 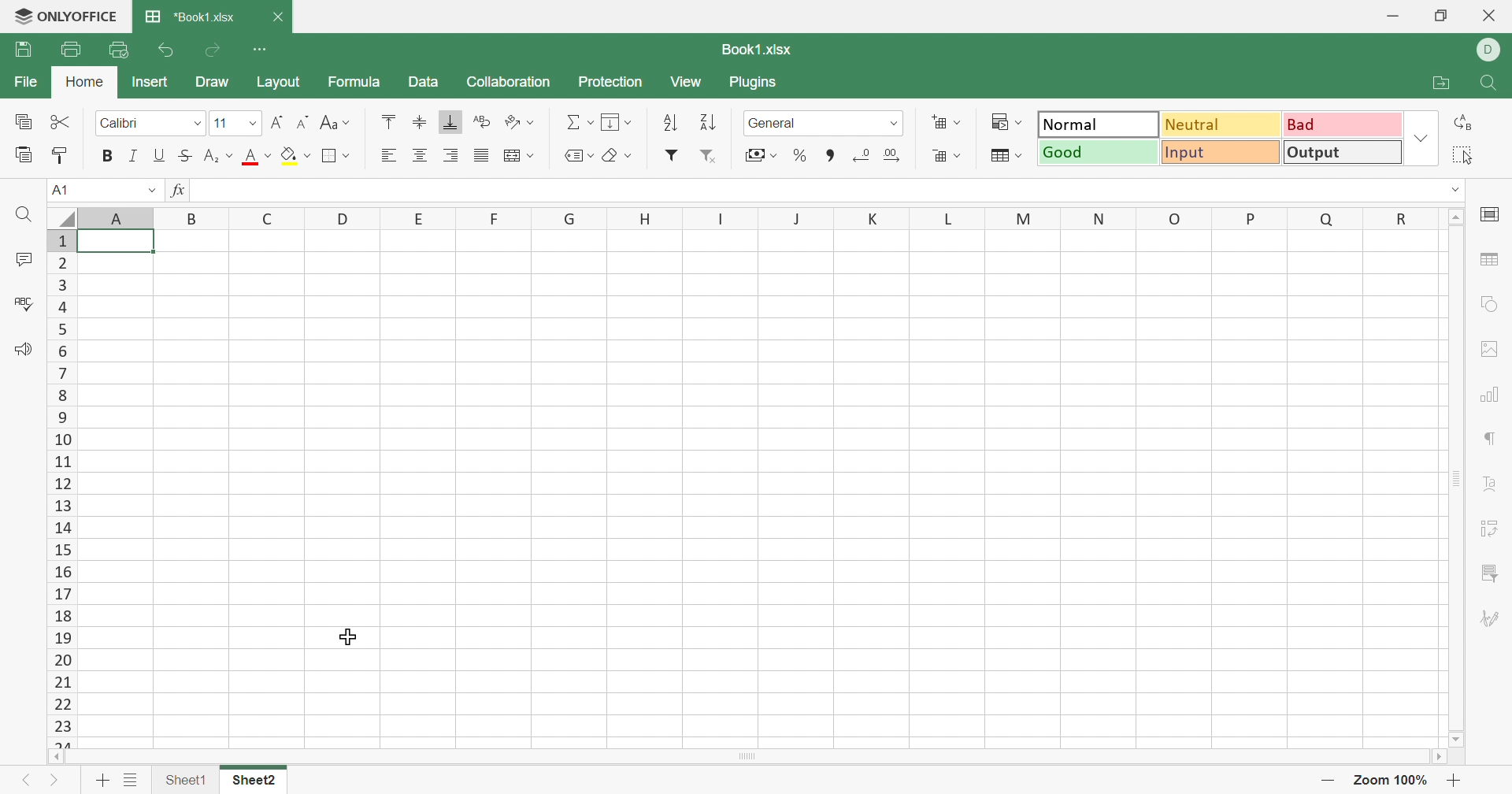 I want to click on 13, so click(x=68, y=506).